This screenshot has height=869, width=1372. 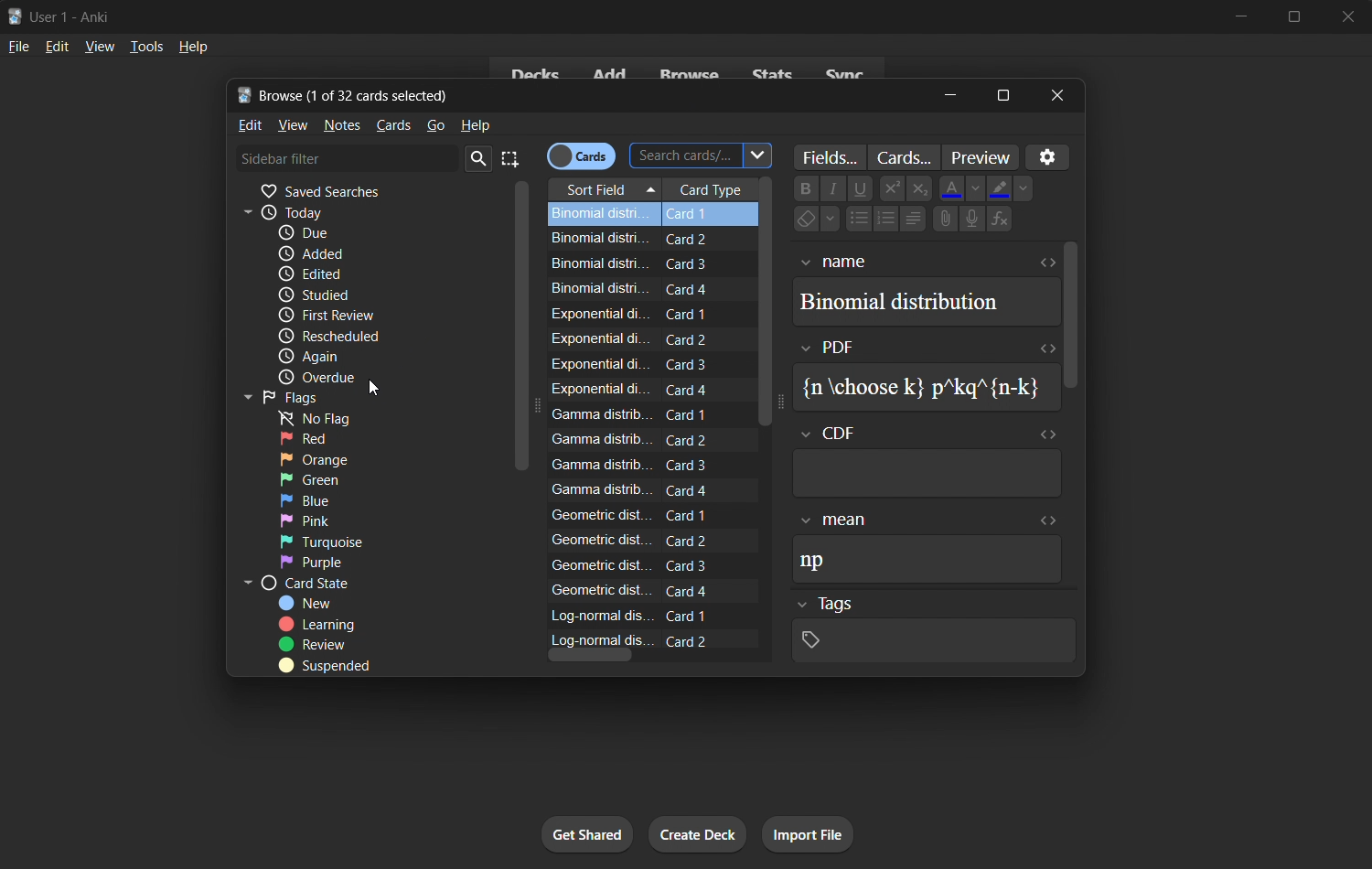 What do you see at coordinates (951, 186) in the screenshot?
I see `` at bounding box center [951, 186].